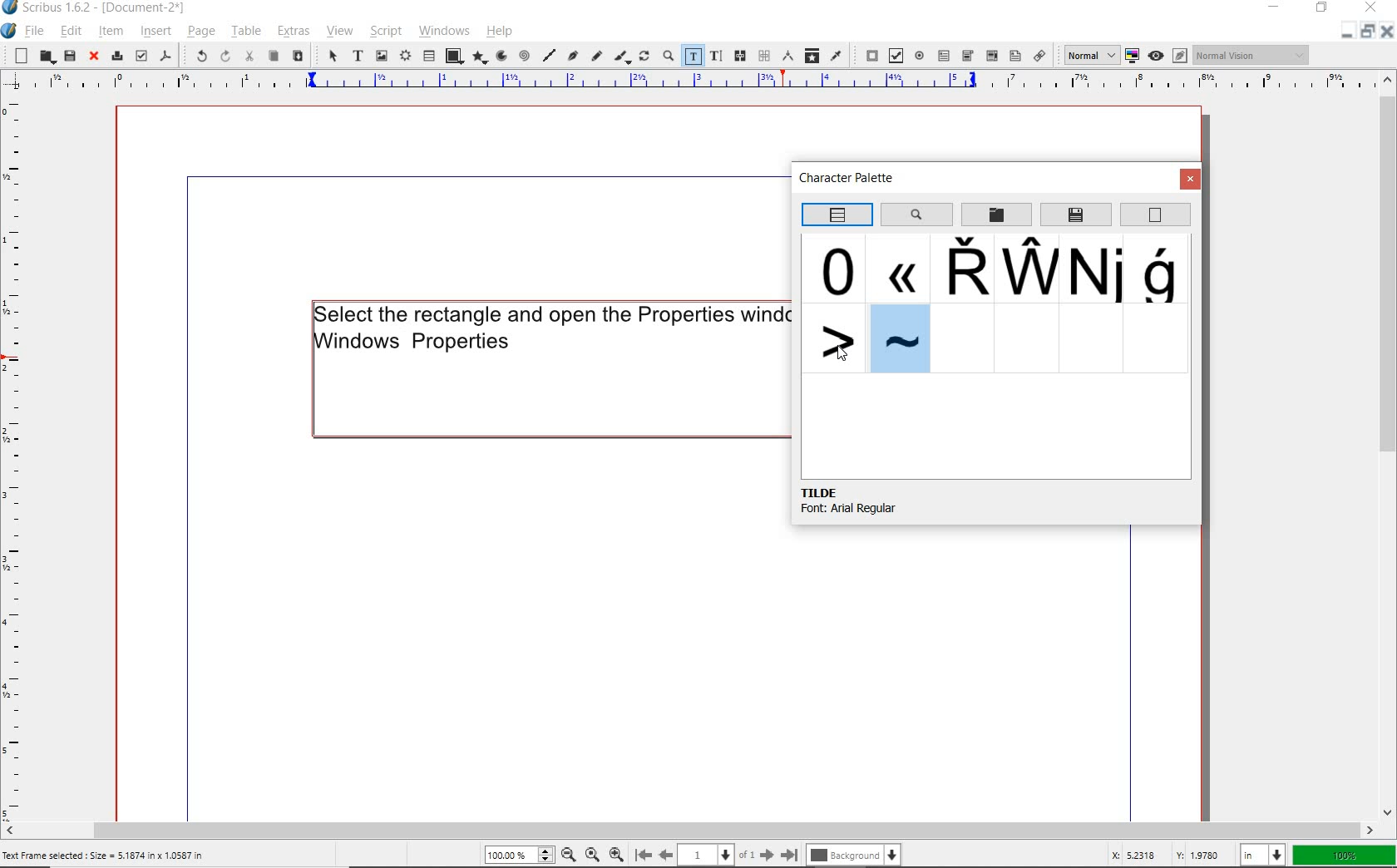 This screenshot has height=868, width=1397. Describe the element at coordinates (573, 57) in the screenshot. I see `Bezier curve` at that location.